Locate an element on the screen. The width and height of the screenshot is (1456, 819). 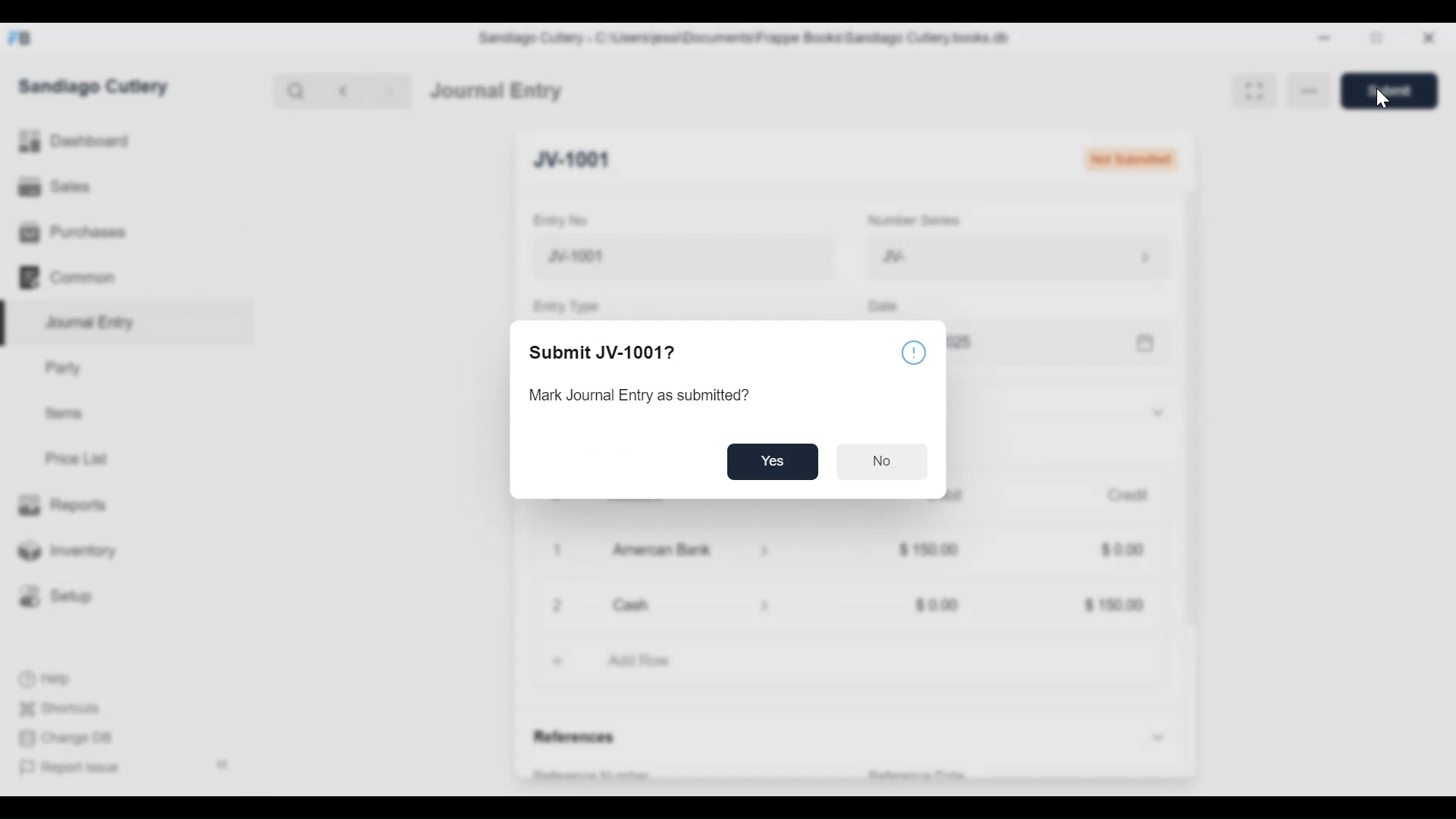
Mark Journal Entry as submitted? is located at coordinates (653, 395).